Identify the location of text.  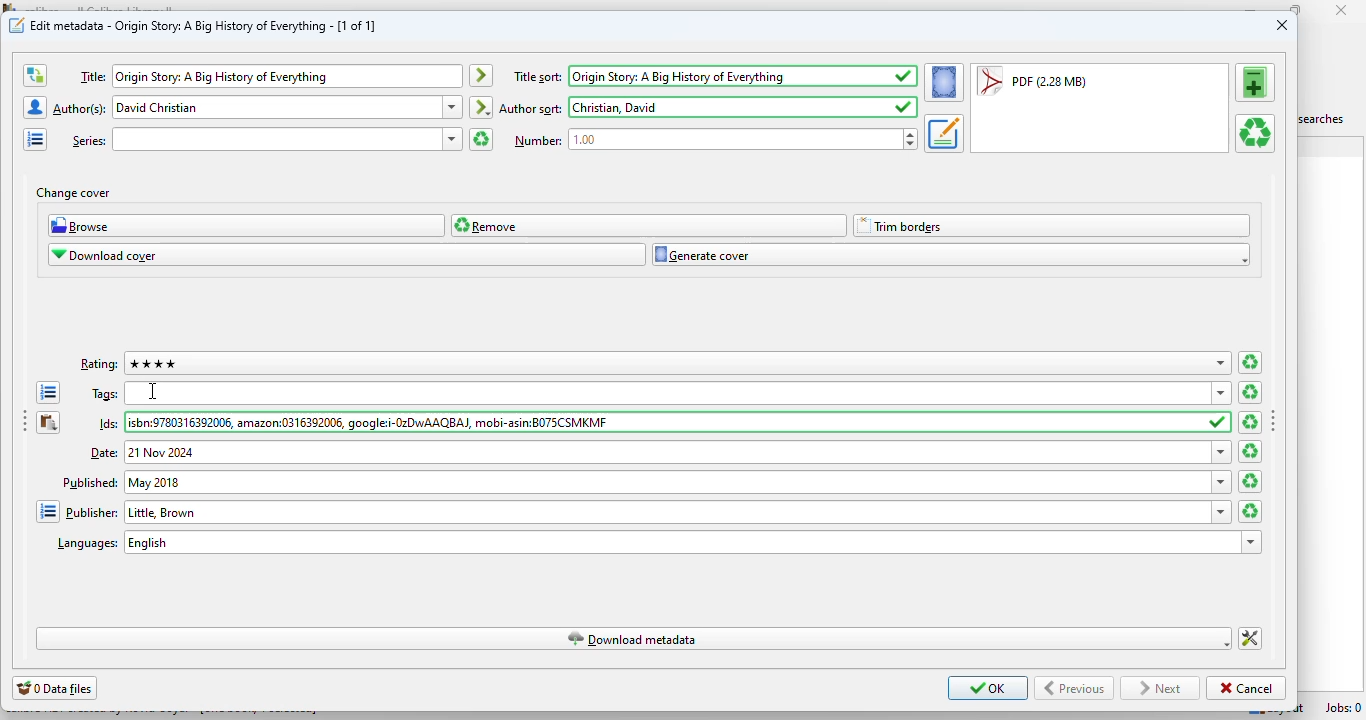
(81, 108).